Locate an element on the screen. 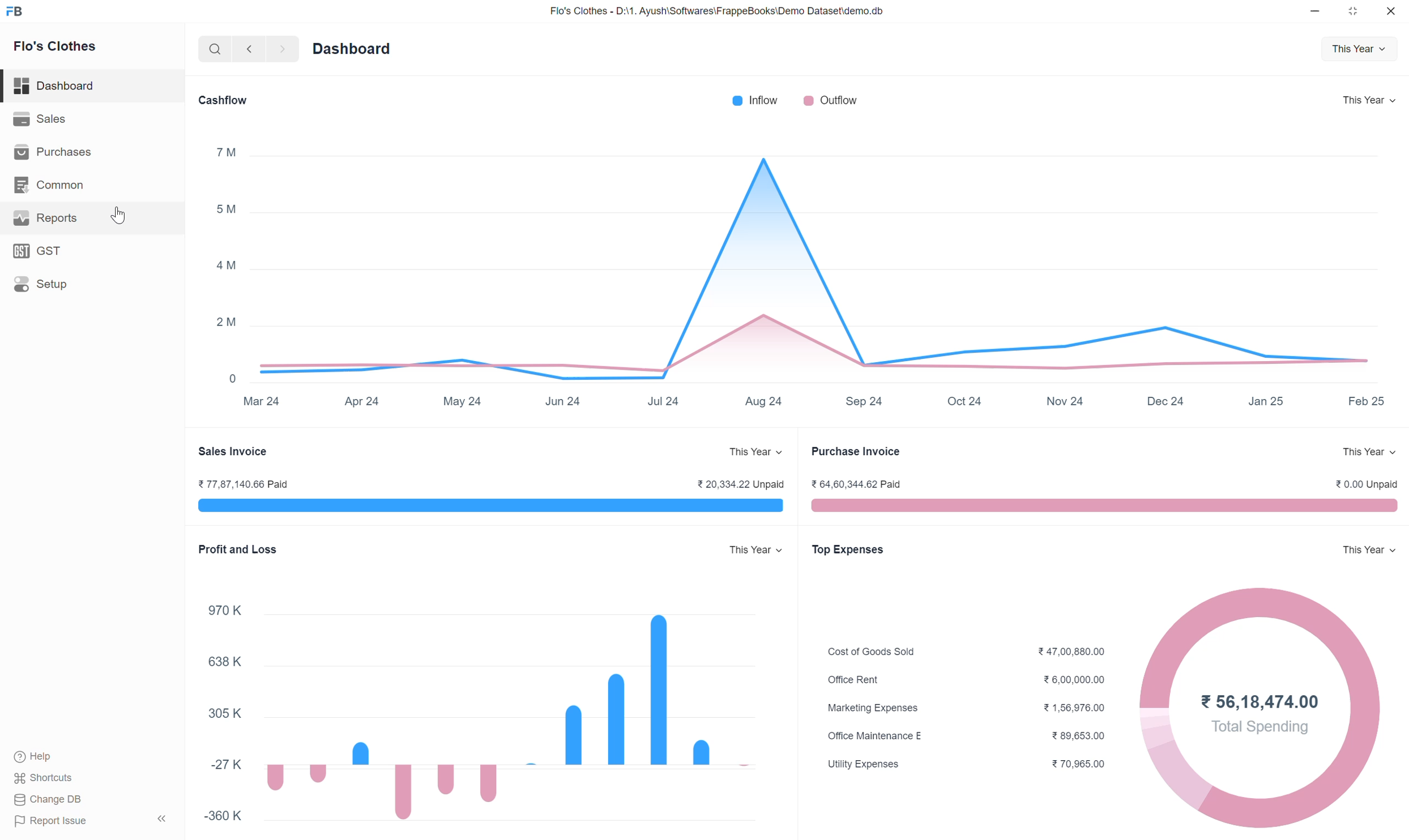  7 m is located at coordinates (228, 152).